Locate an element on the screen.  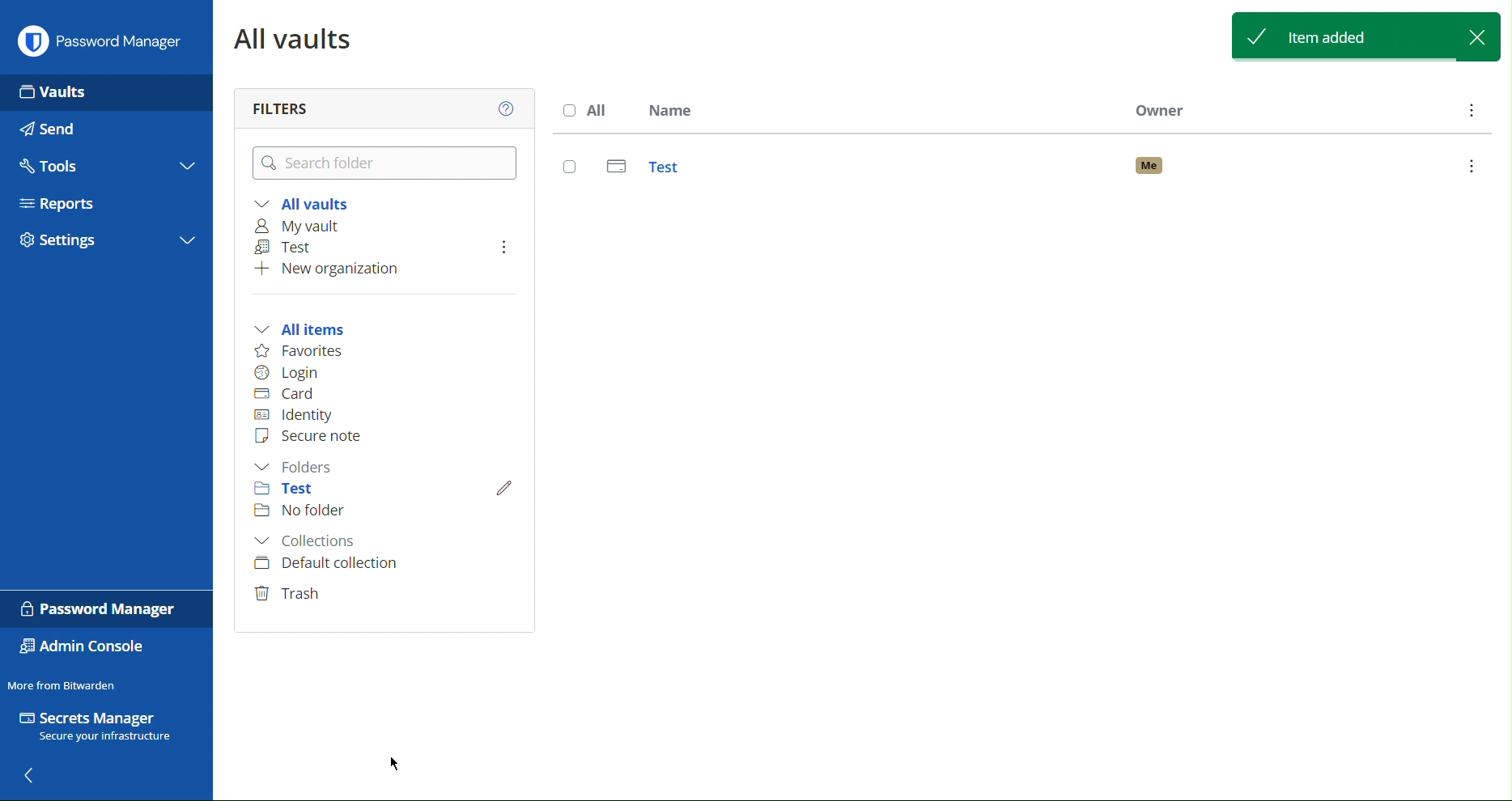
Folders is located at coordinates (297, 468).